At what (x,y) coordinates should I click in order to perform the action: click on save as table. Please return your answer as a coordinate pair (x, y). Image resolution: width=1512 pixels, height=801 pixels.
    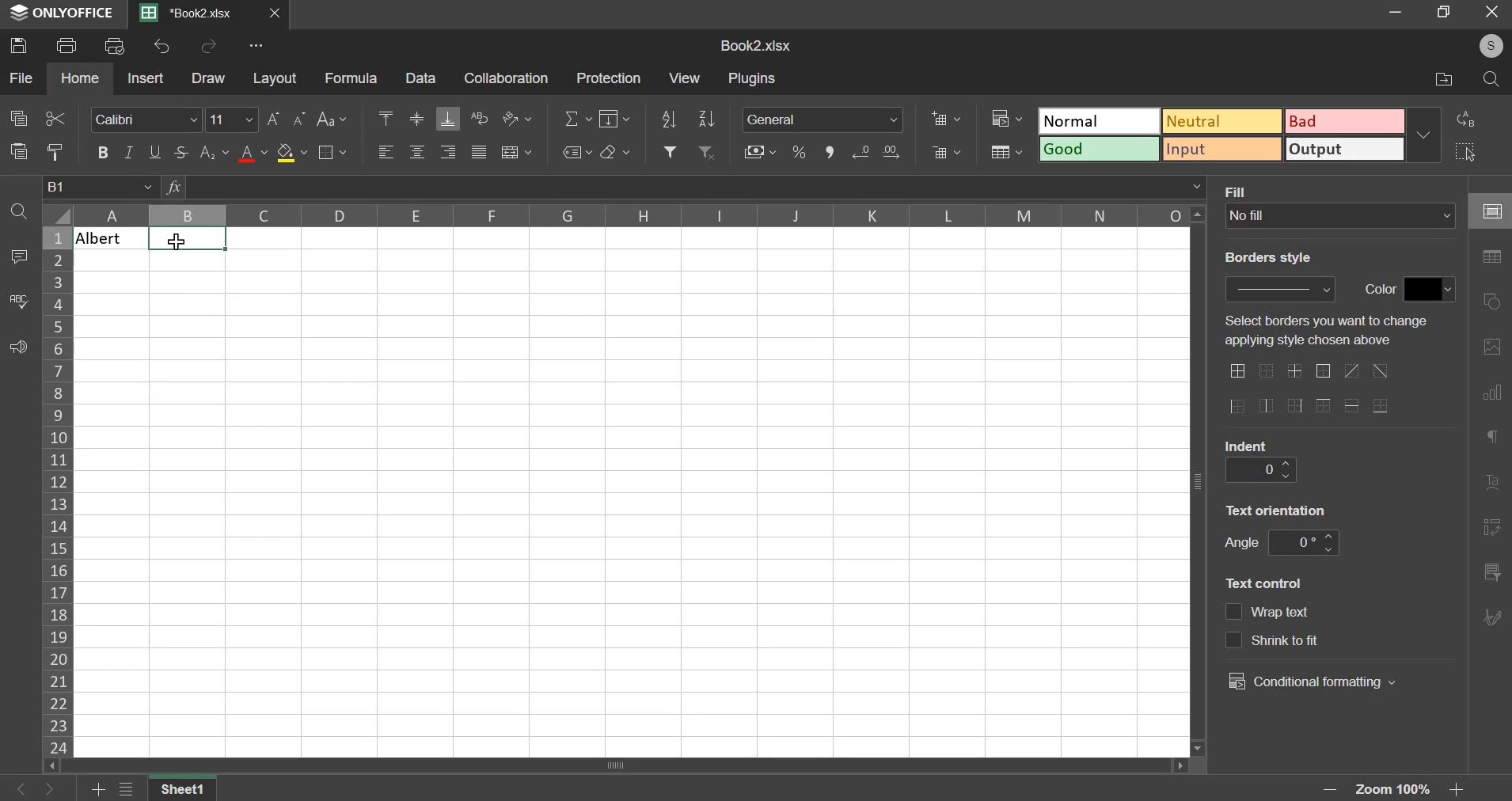
    Looking at the image, I should click on (1006, 152).